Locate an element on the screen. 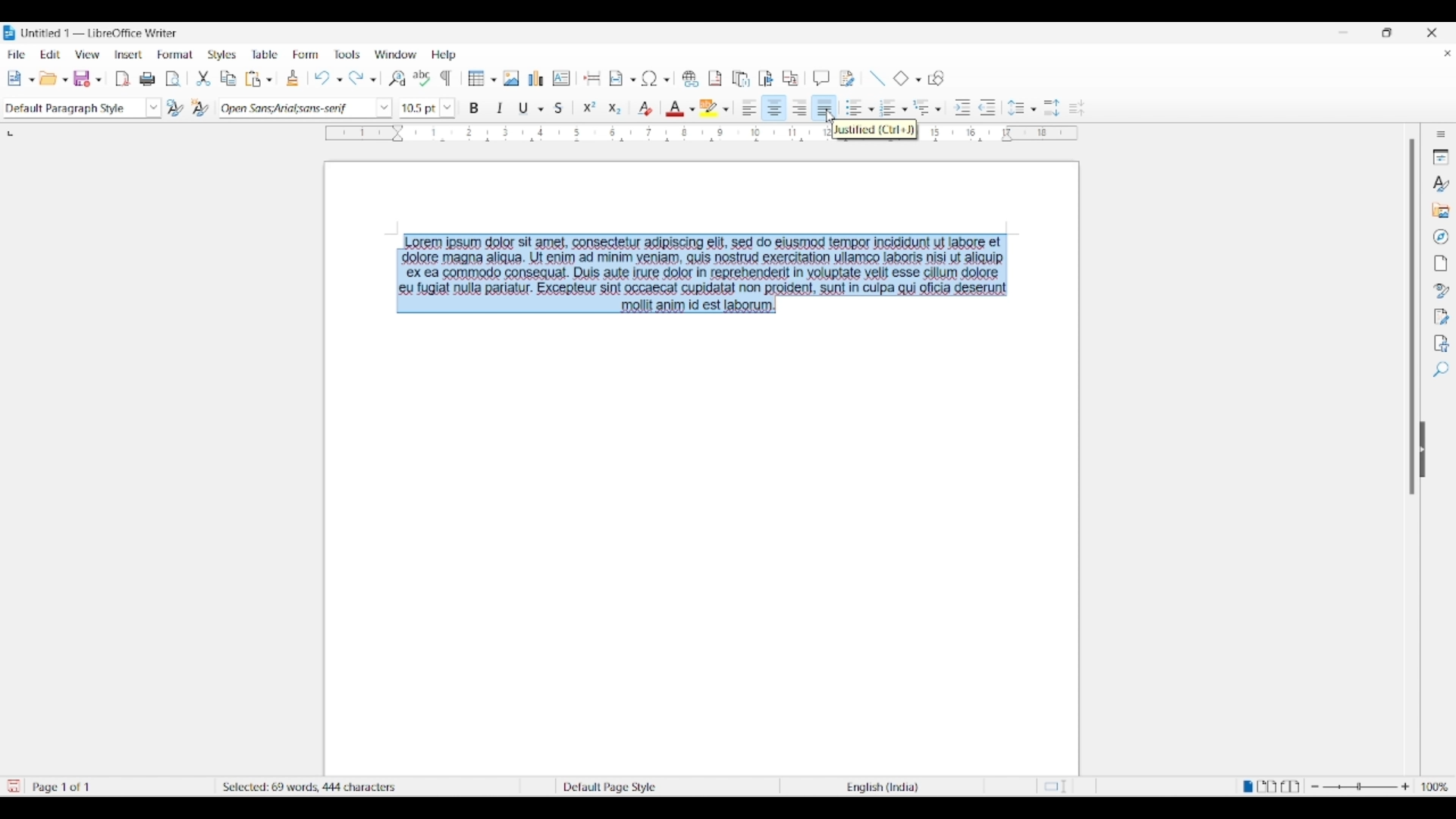  Align right is located at coordinates (800, 107).